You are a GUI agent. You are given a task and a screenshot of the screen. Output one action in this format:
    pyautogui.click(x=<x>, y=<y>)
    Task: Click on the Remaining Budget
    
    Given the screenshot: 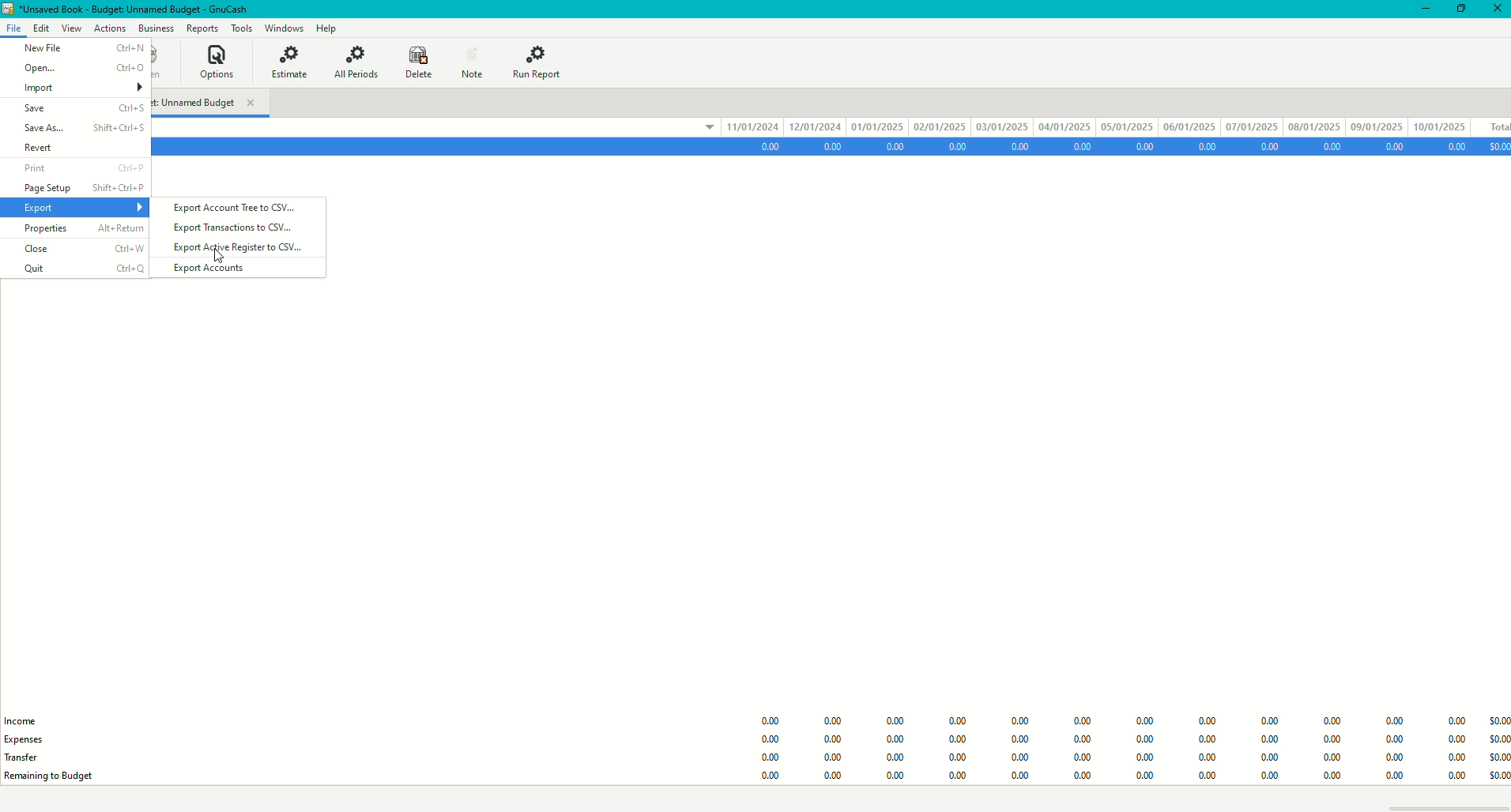 What is the action you would take?
    pyautogui.click(x=58, y=776)
    